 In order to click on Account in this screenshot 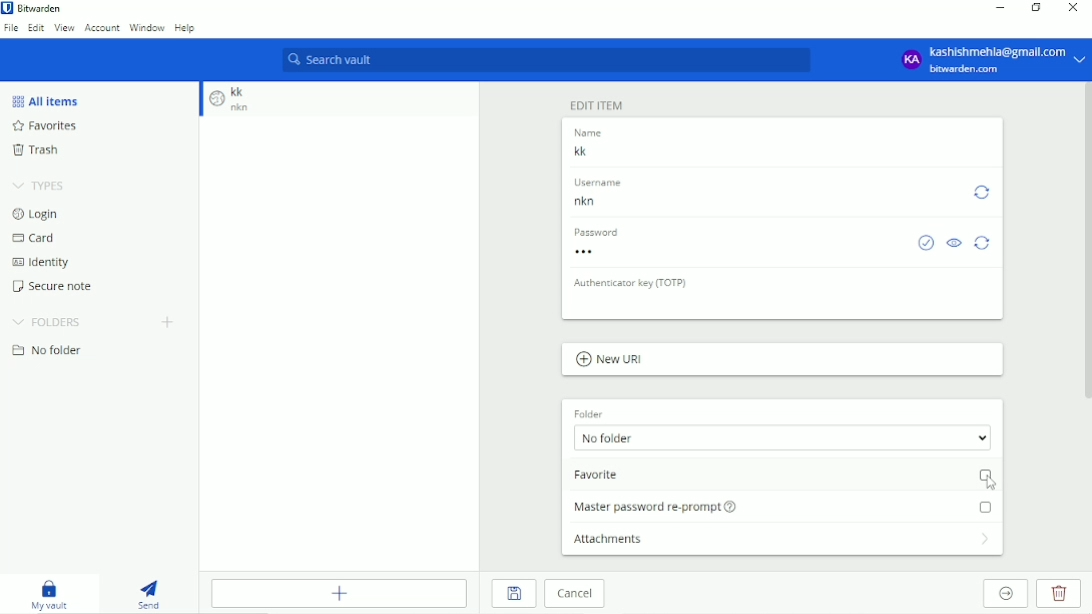, I will do `click(103, 27)`.